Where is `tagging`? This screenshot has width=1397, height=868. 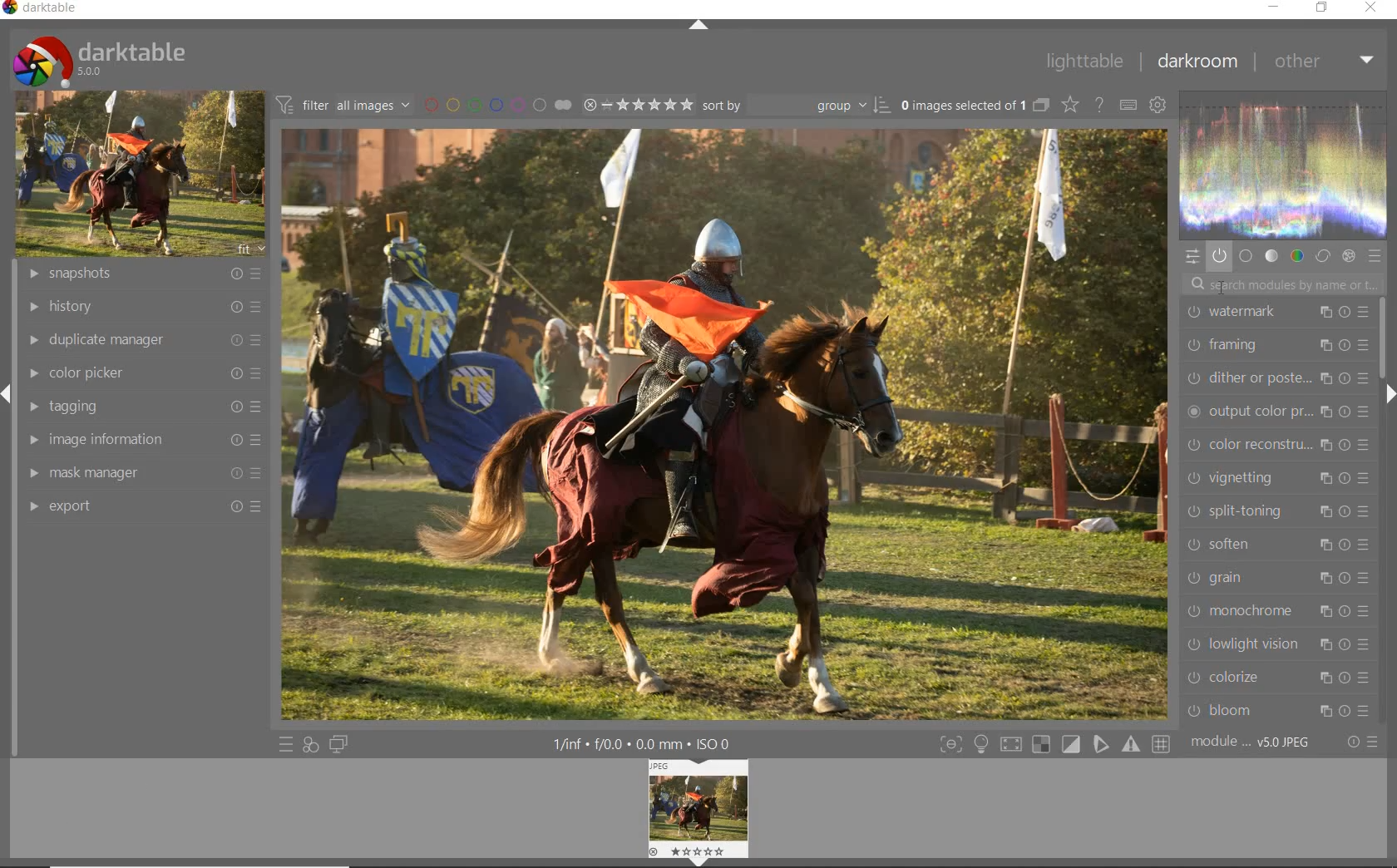
tagging is located at coordinates (141, 407).